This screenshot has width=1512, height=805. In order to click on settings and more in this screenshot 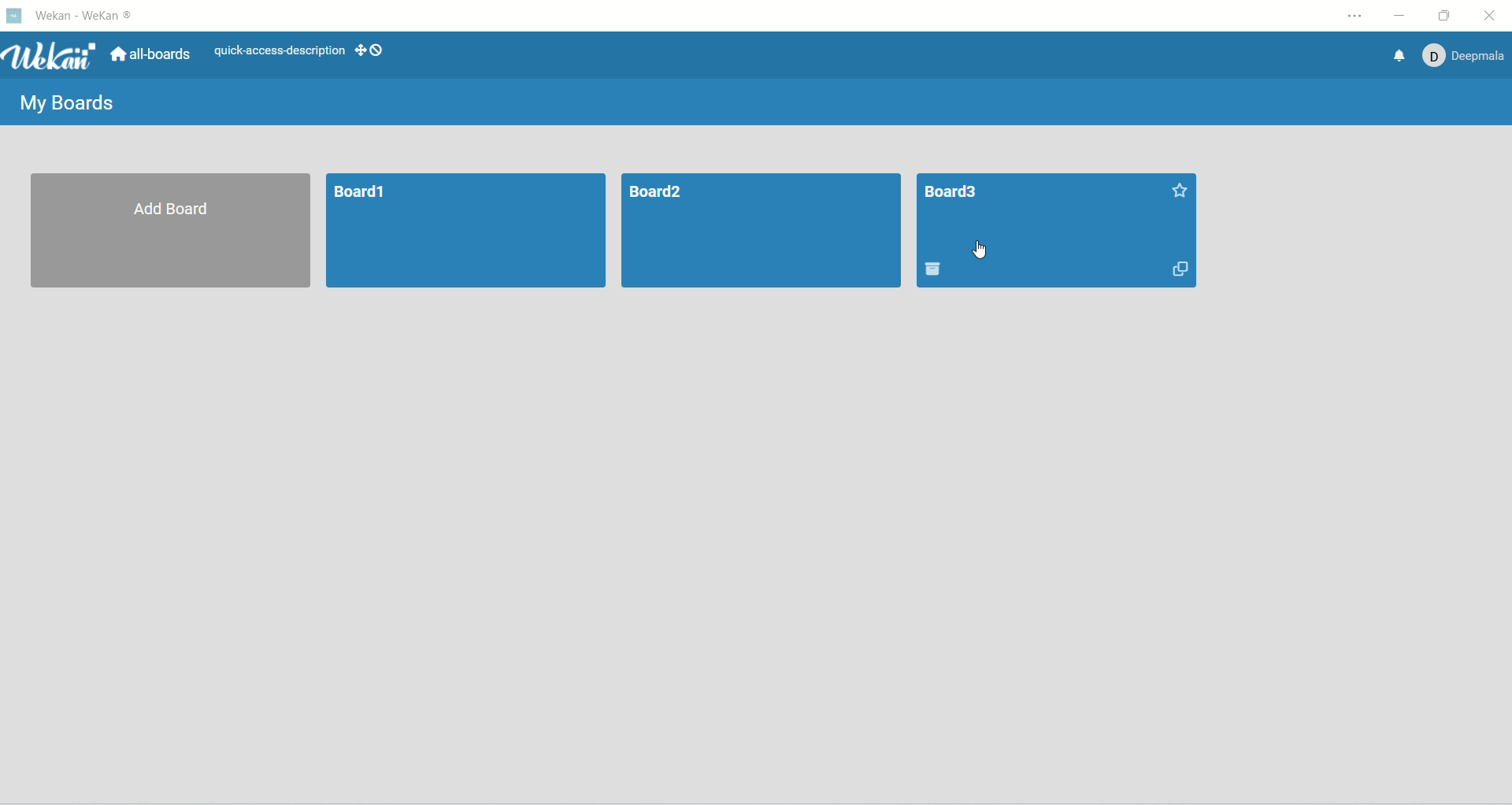, I will do `click(1354, 16)`.